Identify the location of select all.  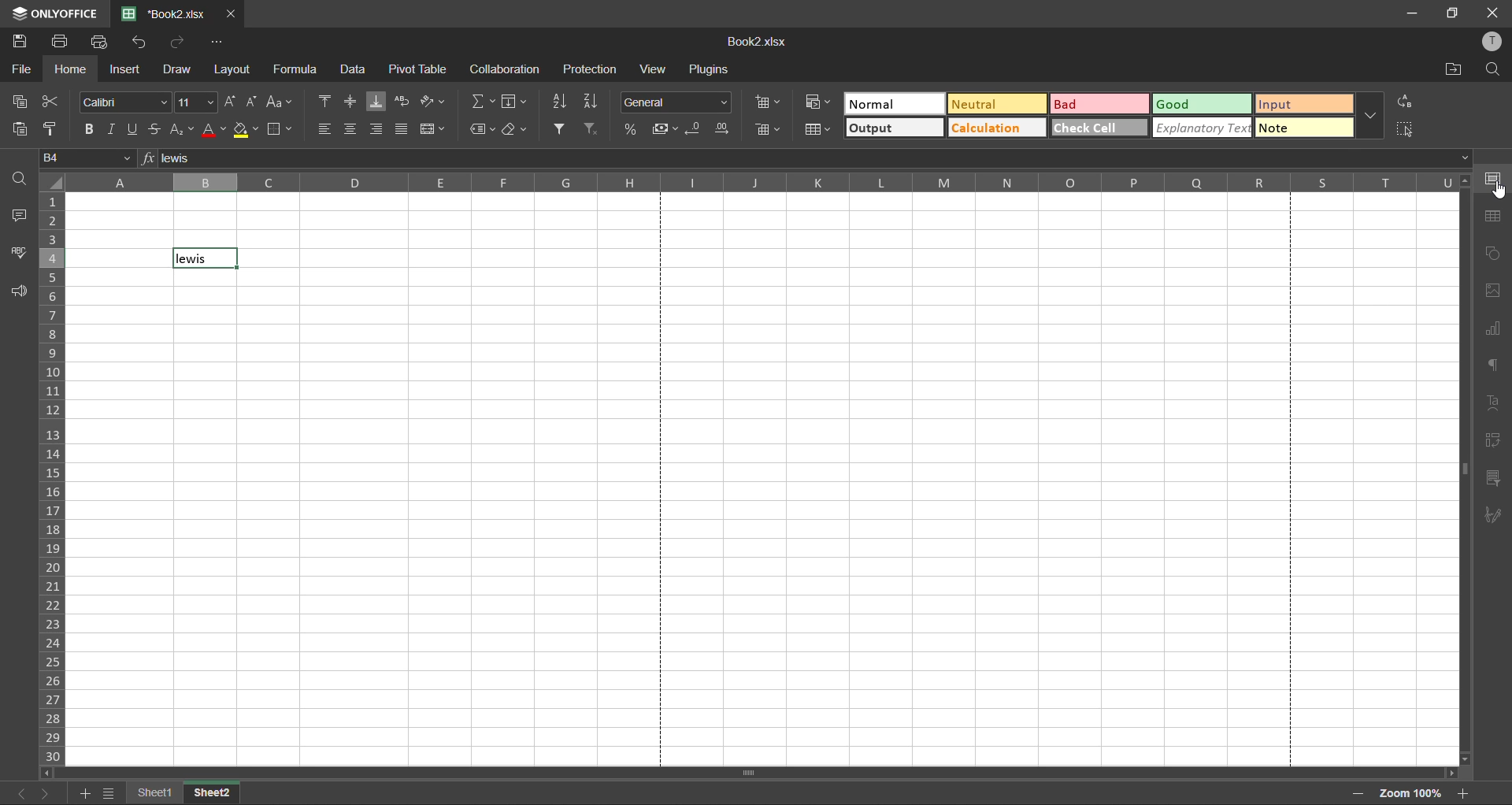
(1403, 129).